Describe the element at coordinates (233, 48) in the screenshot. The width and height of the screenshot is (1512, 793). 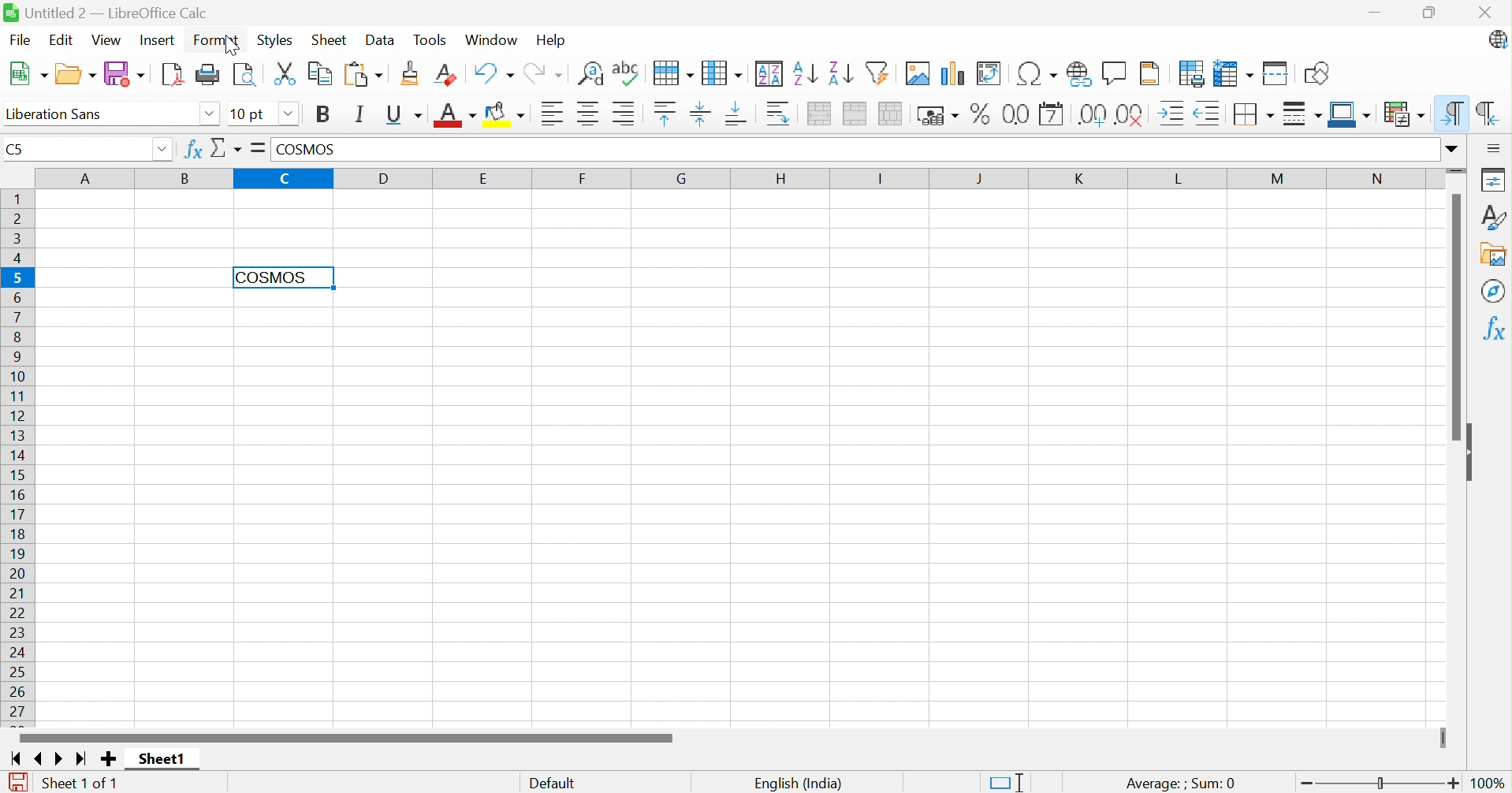
I see `cursor` at that location.